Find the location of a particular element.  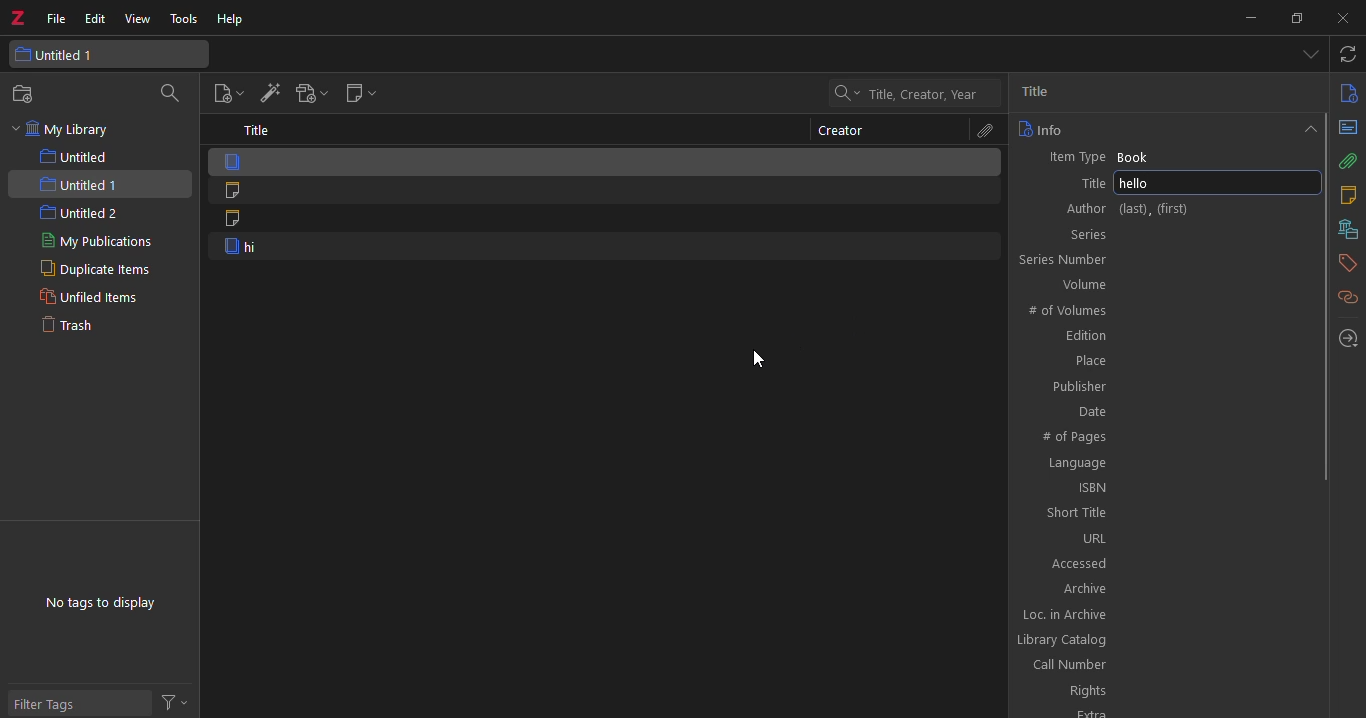

no tags is located at coordinates (99, 603).